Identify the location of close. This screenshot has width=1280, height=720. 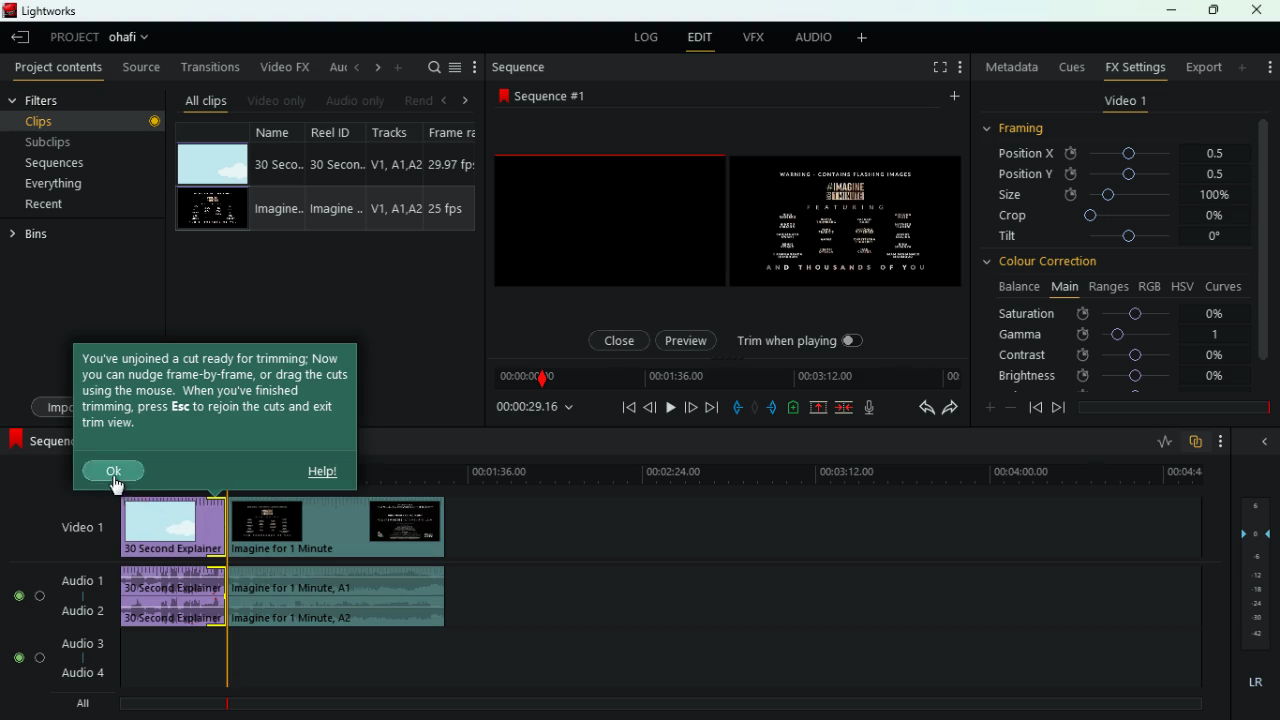
(615, 340).